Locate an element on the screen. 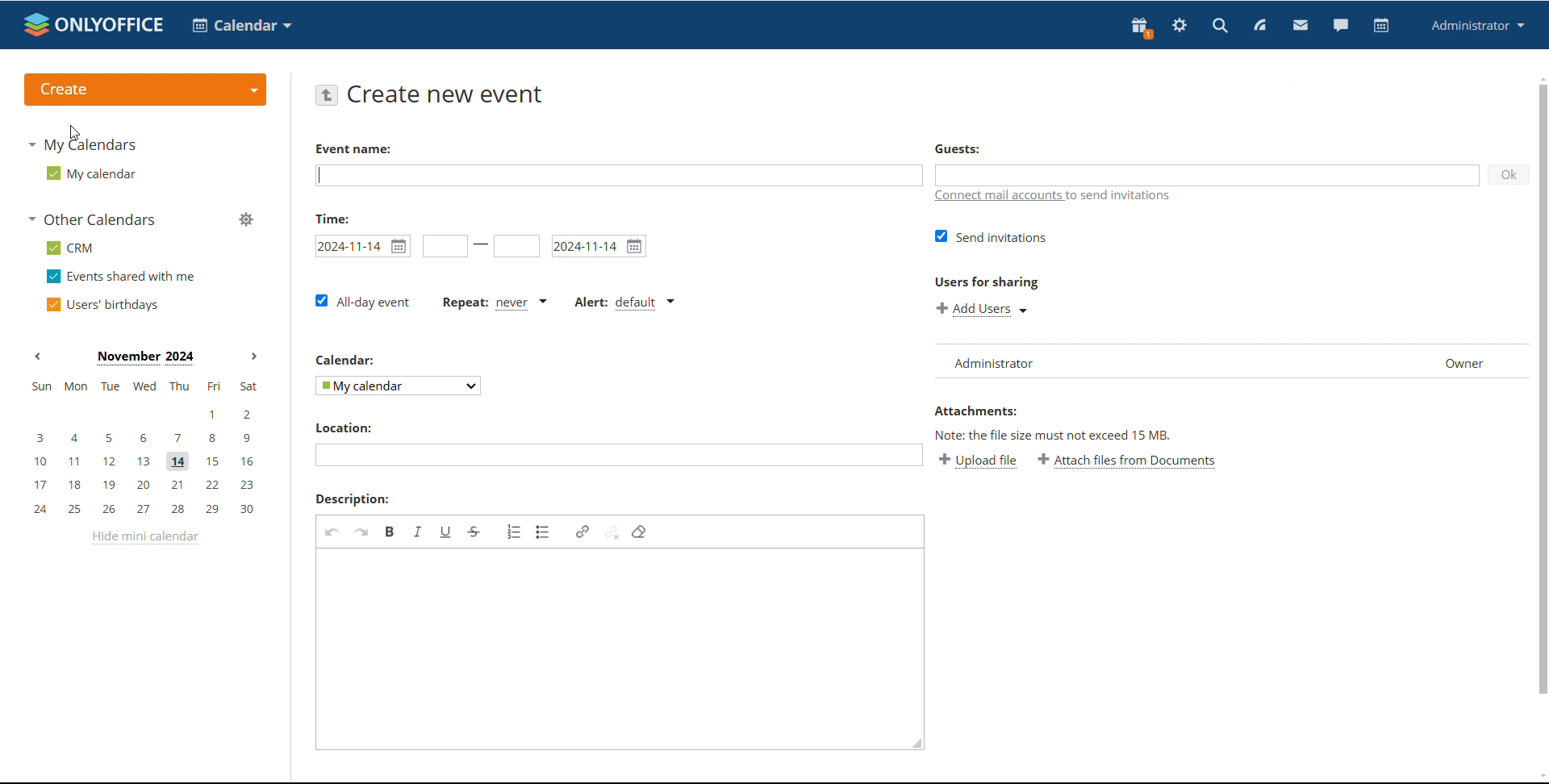 The height and width of the screenshot is (784, 1549). 10, 11, 12, 13, 14, 15, 16 is located at coordinates (148, 462).